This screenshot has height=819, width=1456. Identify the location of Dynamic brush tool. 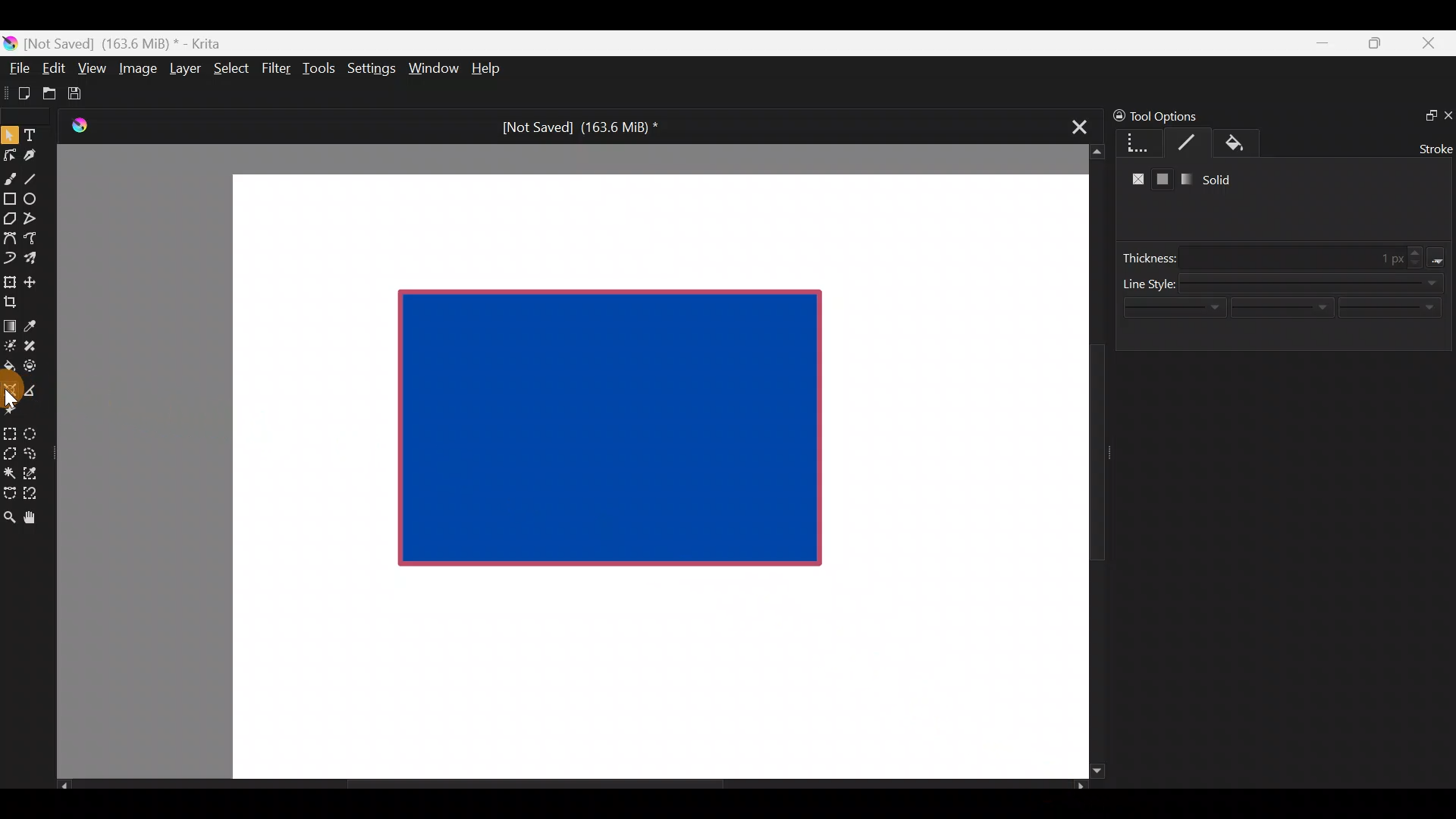
(11, 258).